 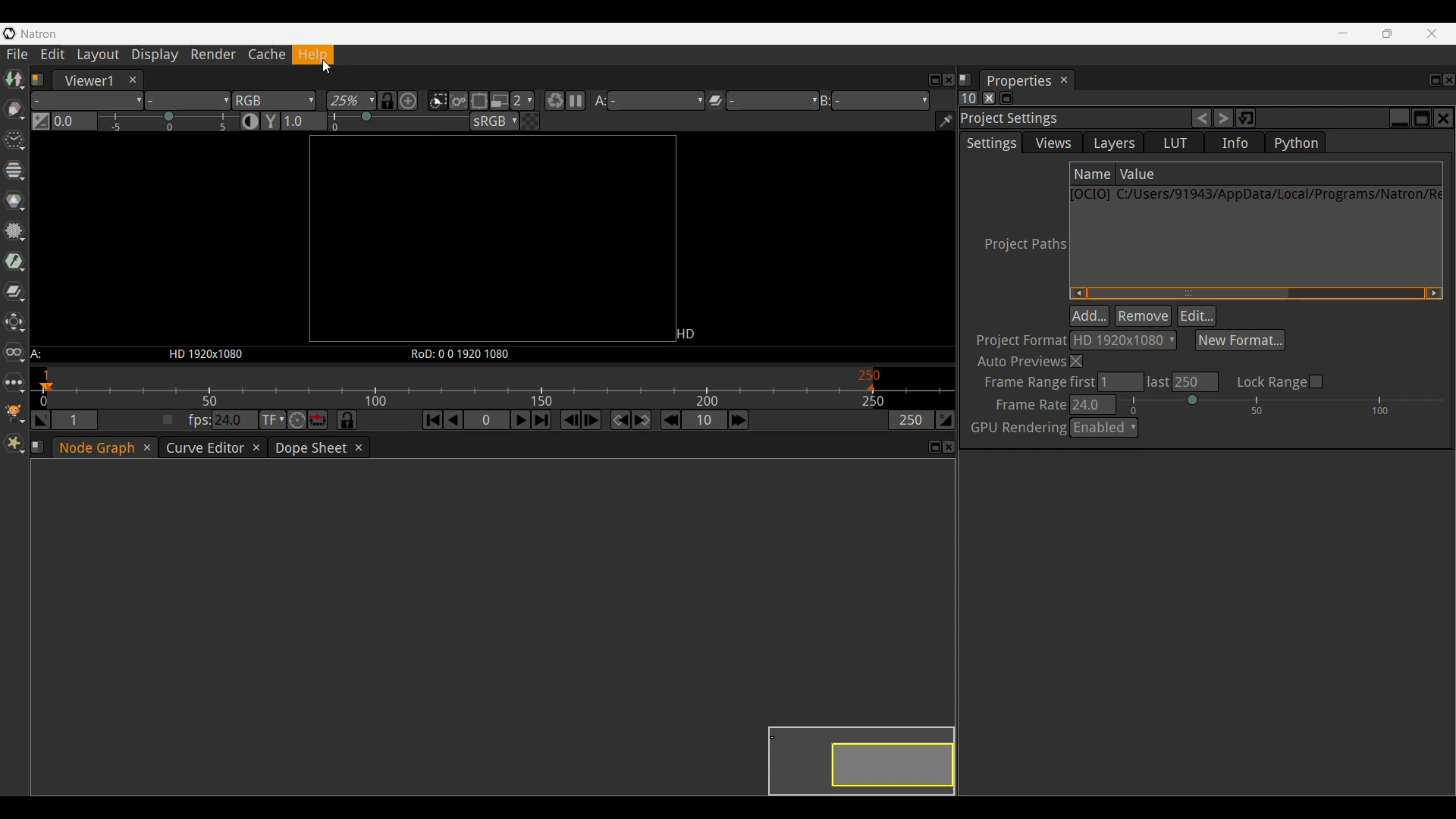 I want to click on Add, so click(x=1089, y=315).